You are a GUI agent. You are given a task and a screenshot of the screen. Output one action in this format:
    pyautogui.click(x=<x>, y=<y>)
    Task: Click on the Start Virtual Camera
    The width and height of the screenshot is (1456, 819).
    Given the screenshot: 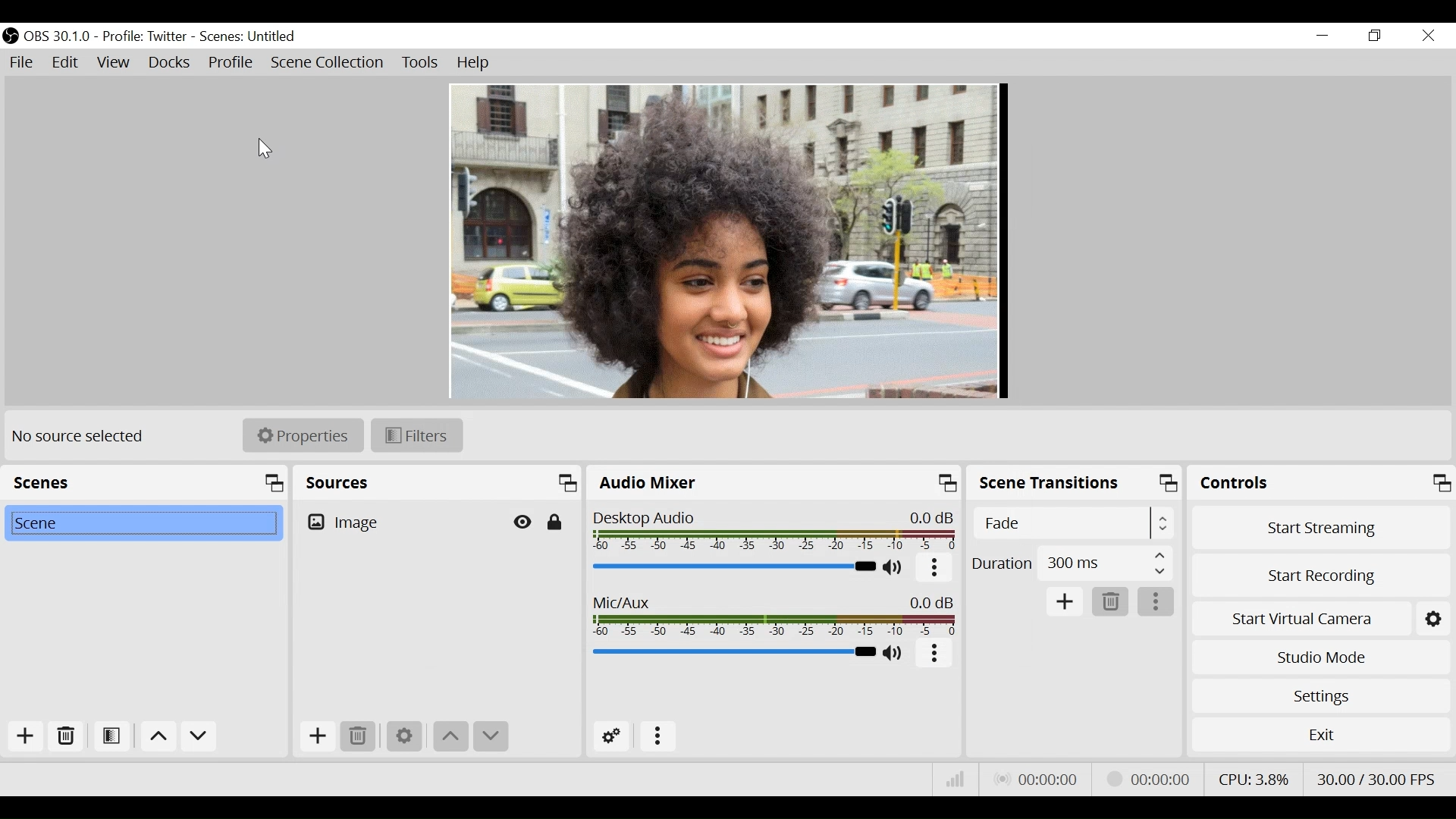 What is the action you would take?
    pyautogui.click(x=1319, y=617)
    